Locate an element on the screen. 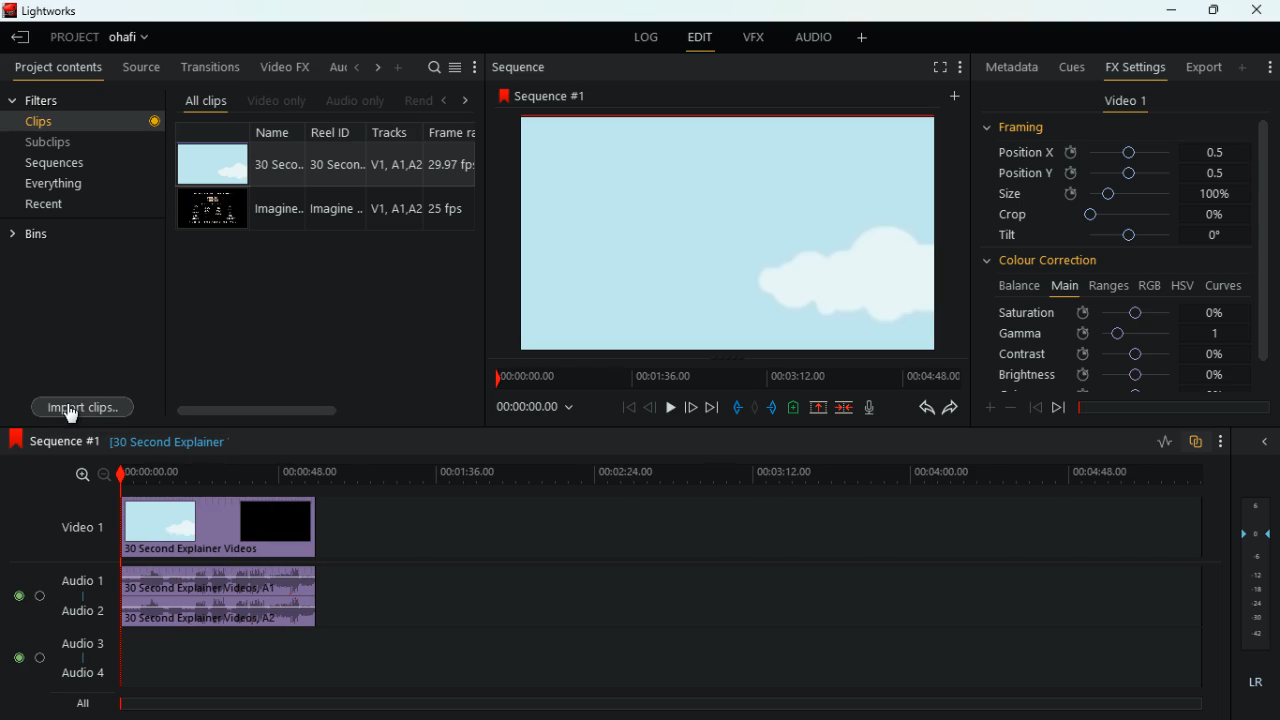 The image size is (1280, 720). all clips is located at coordinates (202, 98).